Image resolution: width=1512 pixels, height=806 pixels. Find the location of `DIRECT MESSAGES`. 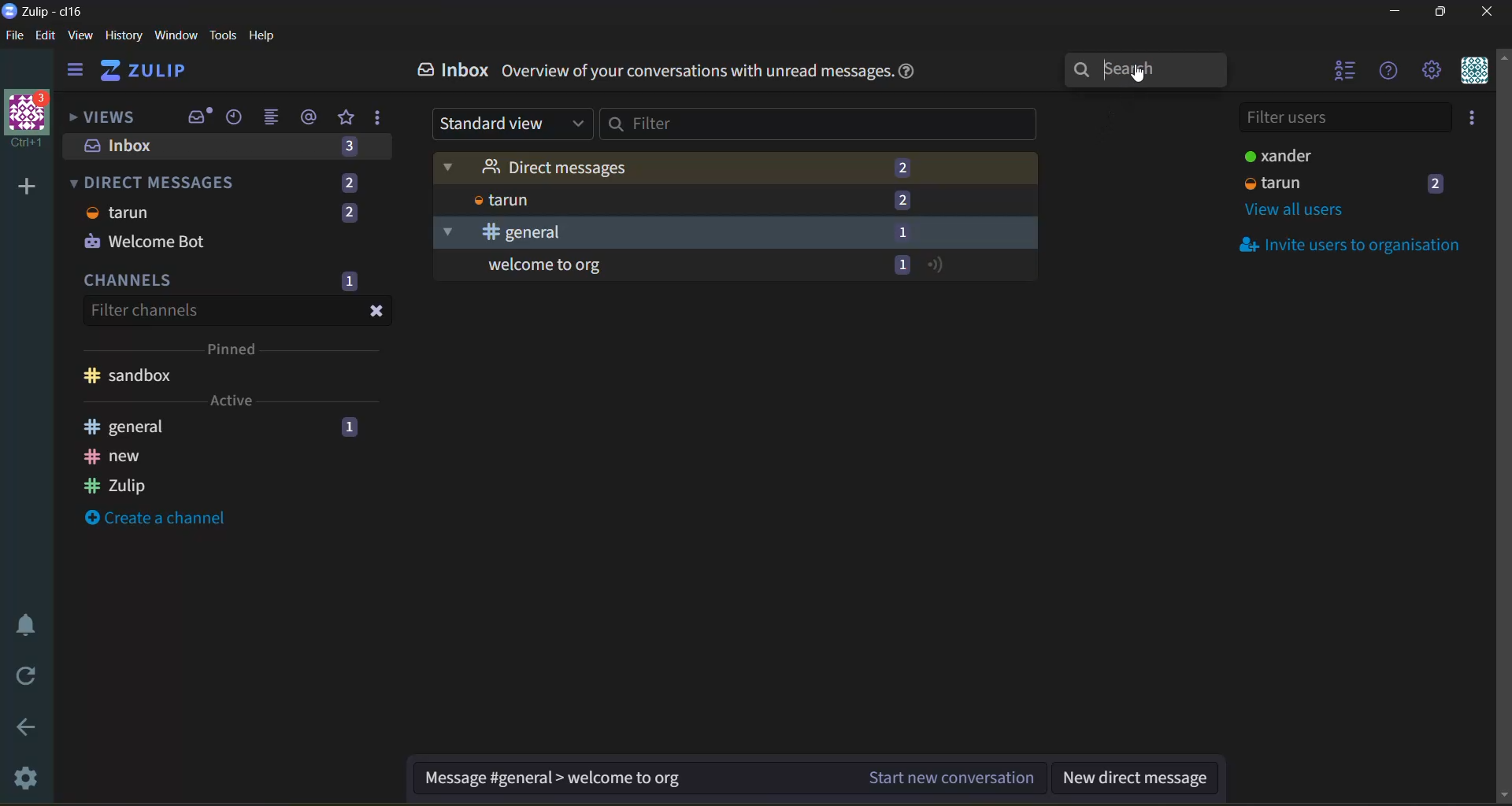

DIRECT MESSAGES is located at coordinates (155, 182).